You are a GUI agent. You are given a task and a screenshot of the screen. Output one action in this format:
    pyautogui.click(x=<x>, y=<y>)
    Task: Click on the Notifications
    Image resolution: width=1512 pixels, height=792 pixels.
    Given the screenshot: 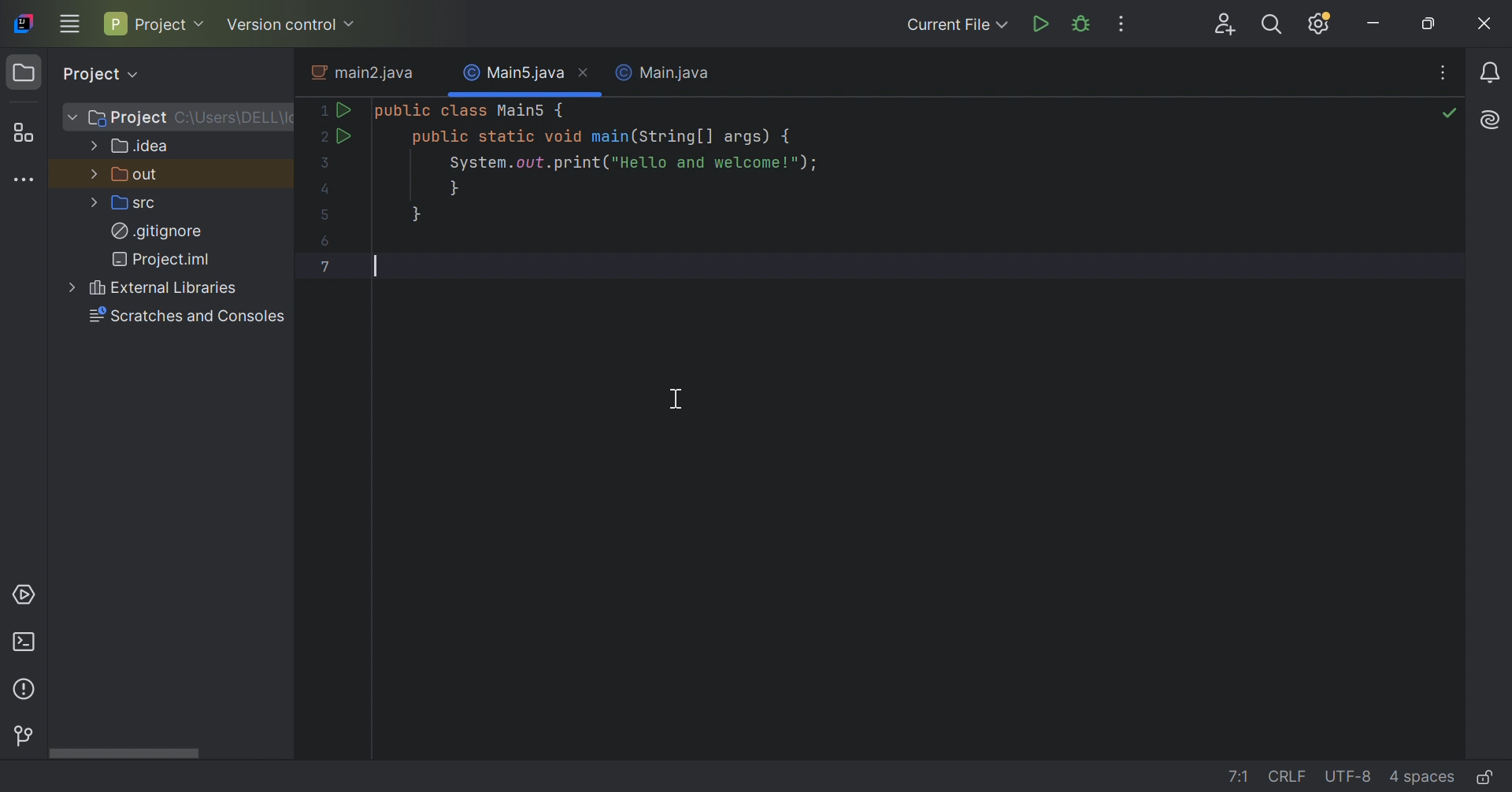 What is the action you would take?
    pyautogui.click(x=1492, y=73)
    